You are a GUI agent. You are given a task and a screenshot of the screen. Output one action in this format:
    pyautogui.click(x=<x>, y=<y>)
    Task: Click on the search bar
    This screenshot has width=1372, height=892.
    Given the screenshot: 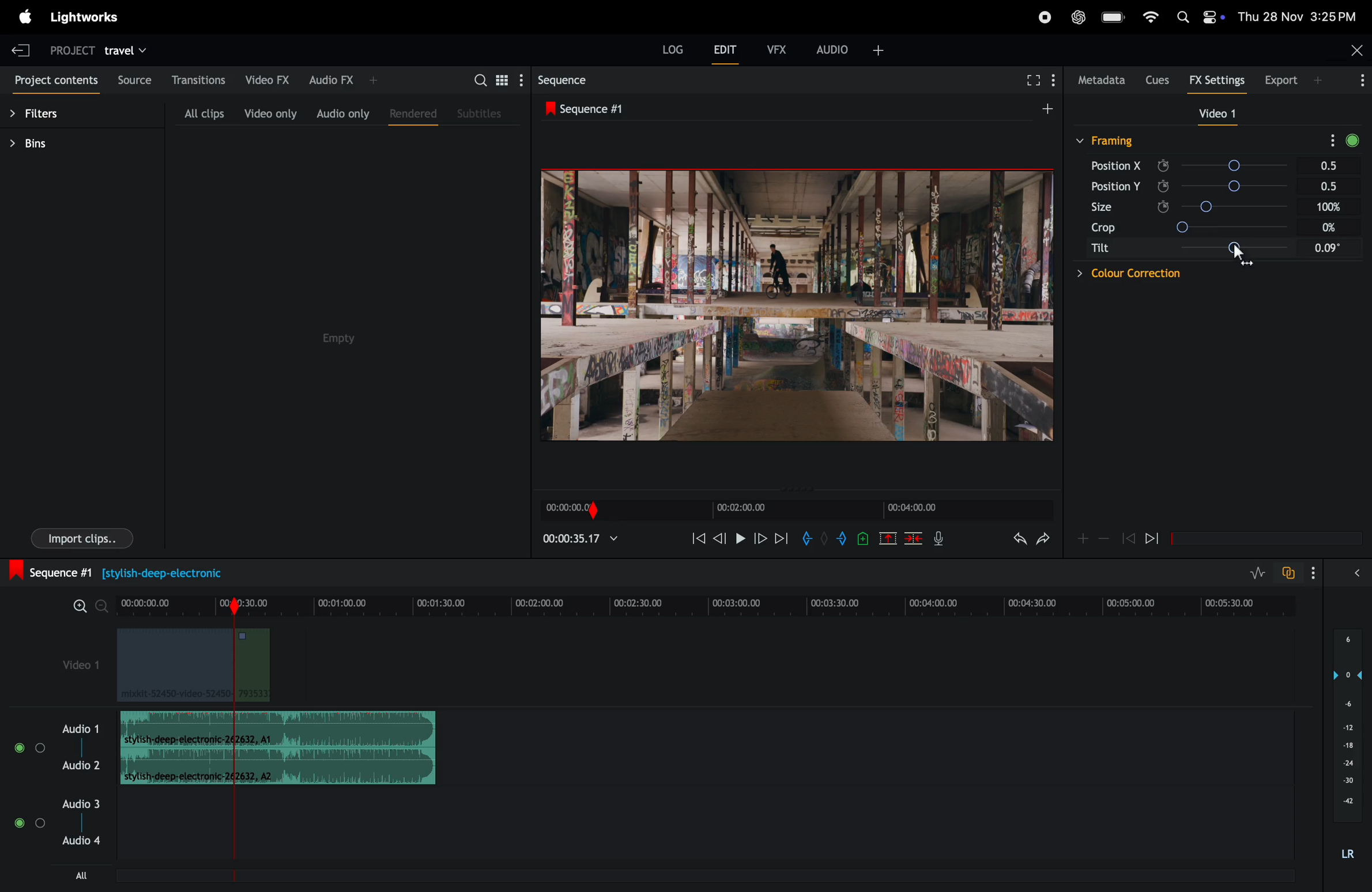 What is the action you would take?
    pyautogui.click(x=493, y=79)
    